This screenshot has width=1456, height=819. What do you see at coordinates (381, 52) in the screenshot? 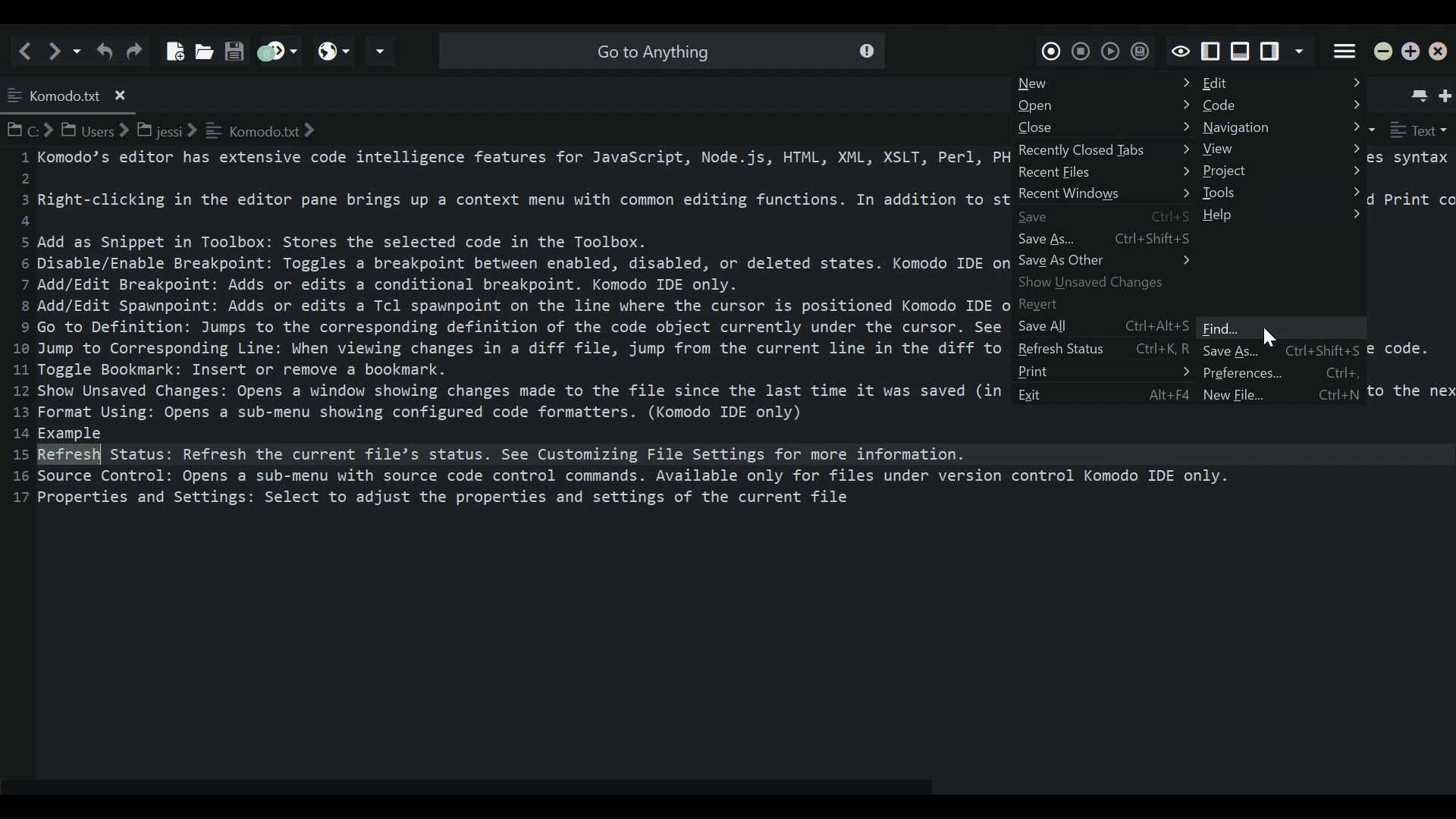
I see `Share current file` at bounding box center [381, 52].